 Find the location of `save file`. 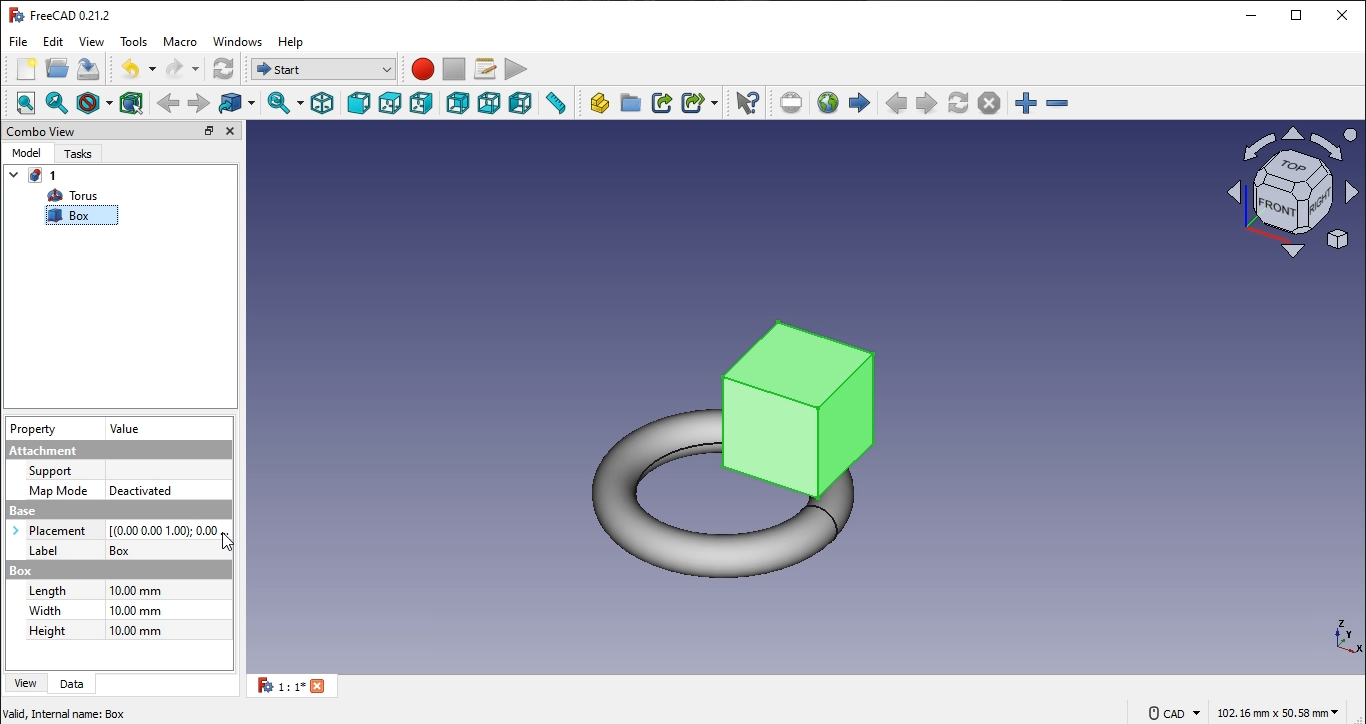

save file is located at coordinates (89, 69).